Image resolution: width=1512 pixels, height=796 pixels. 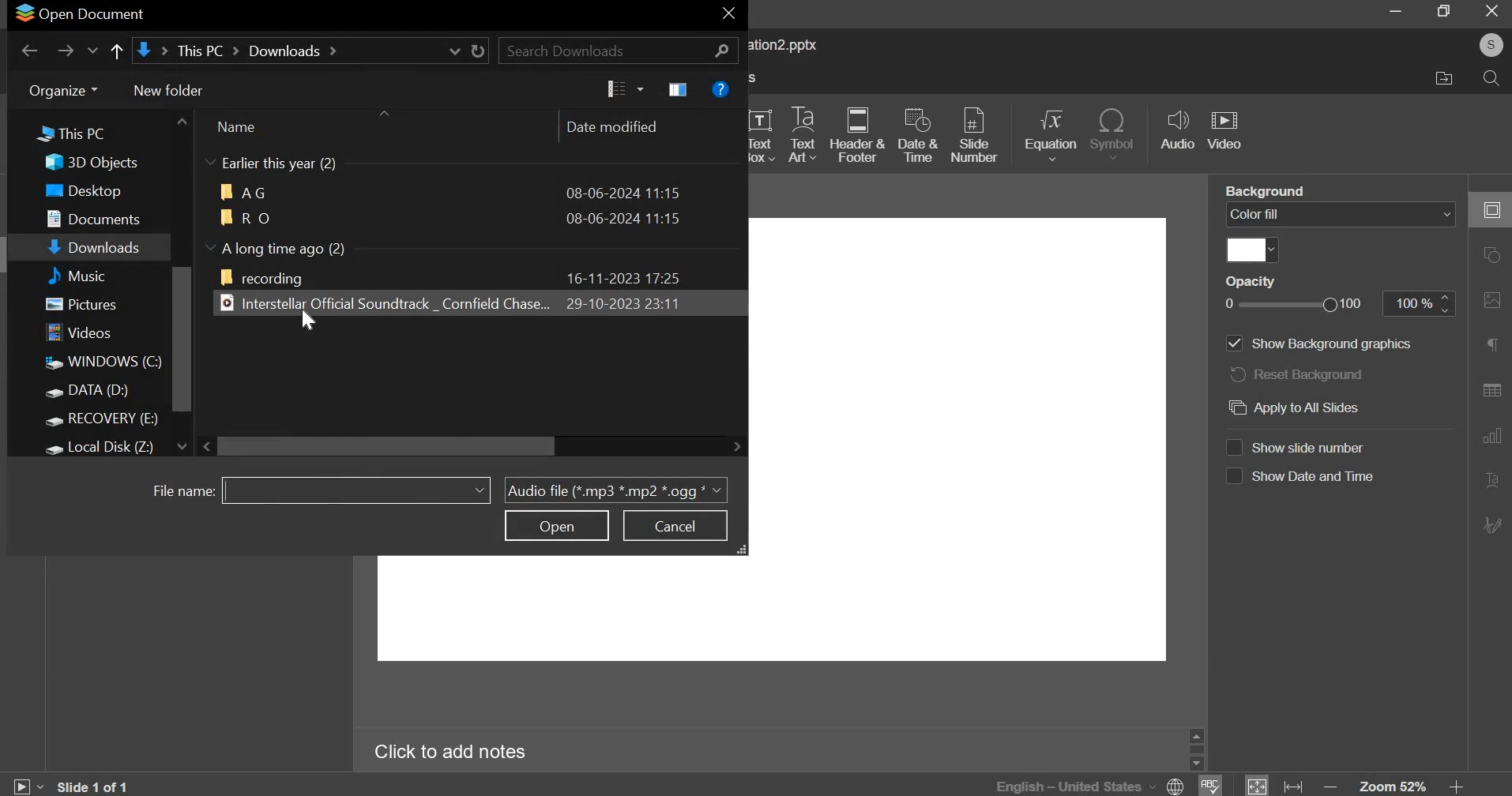 What do you see at coordinates (1394, 785) in the screenshot?
I see `zoom 52%` at bounding box center [1394, 785].